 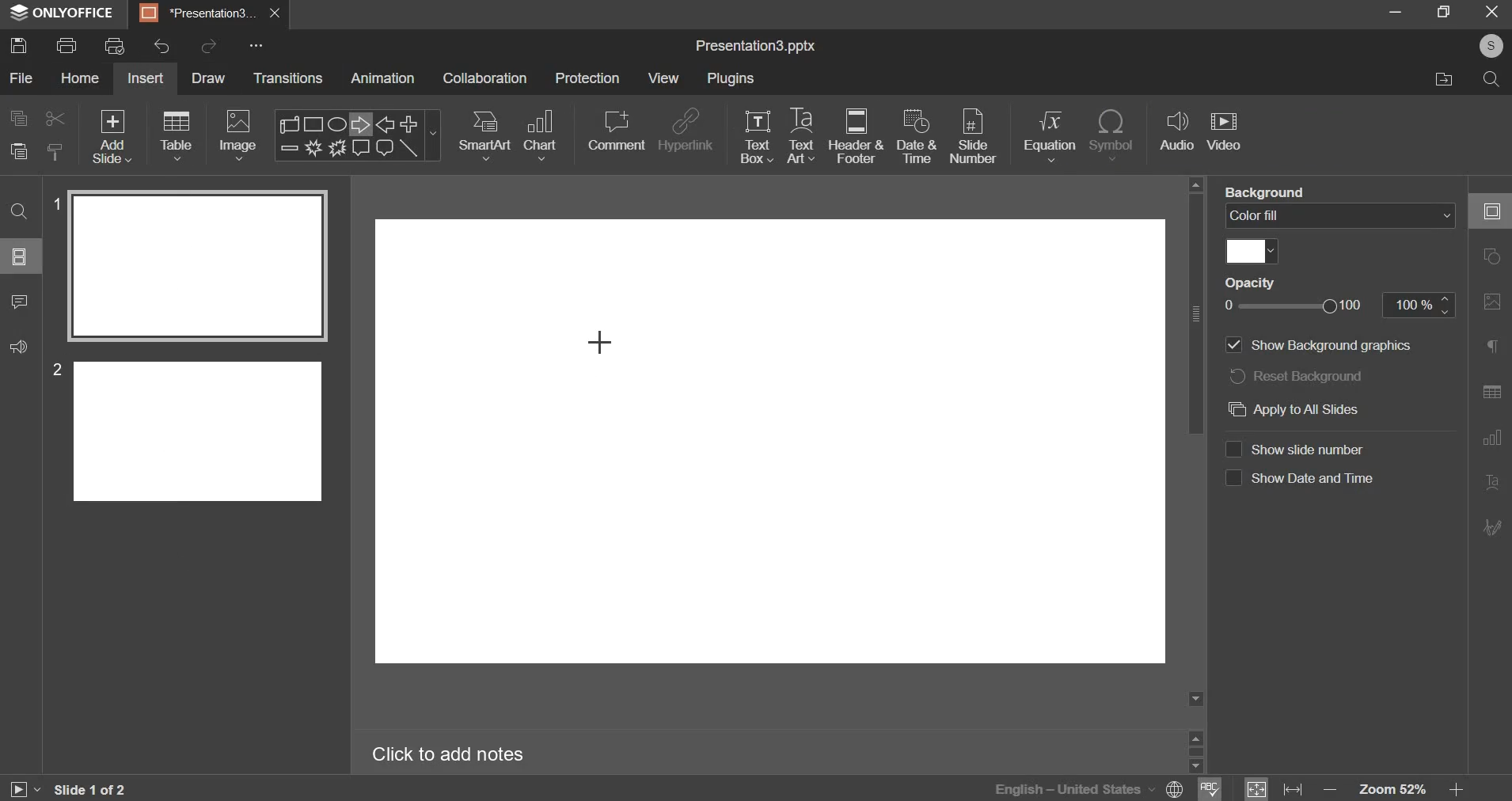 What do you see at coordinates (542, 135) in the screenshot?
I see `chart` at bounding box center [542, 135].